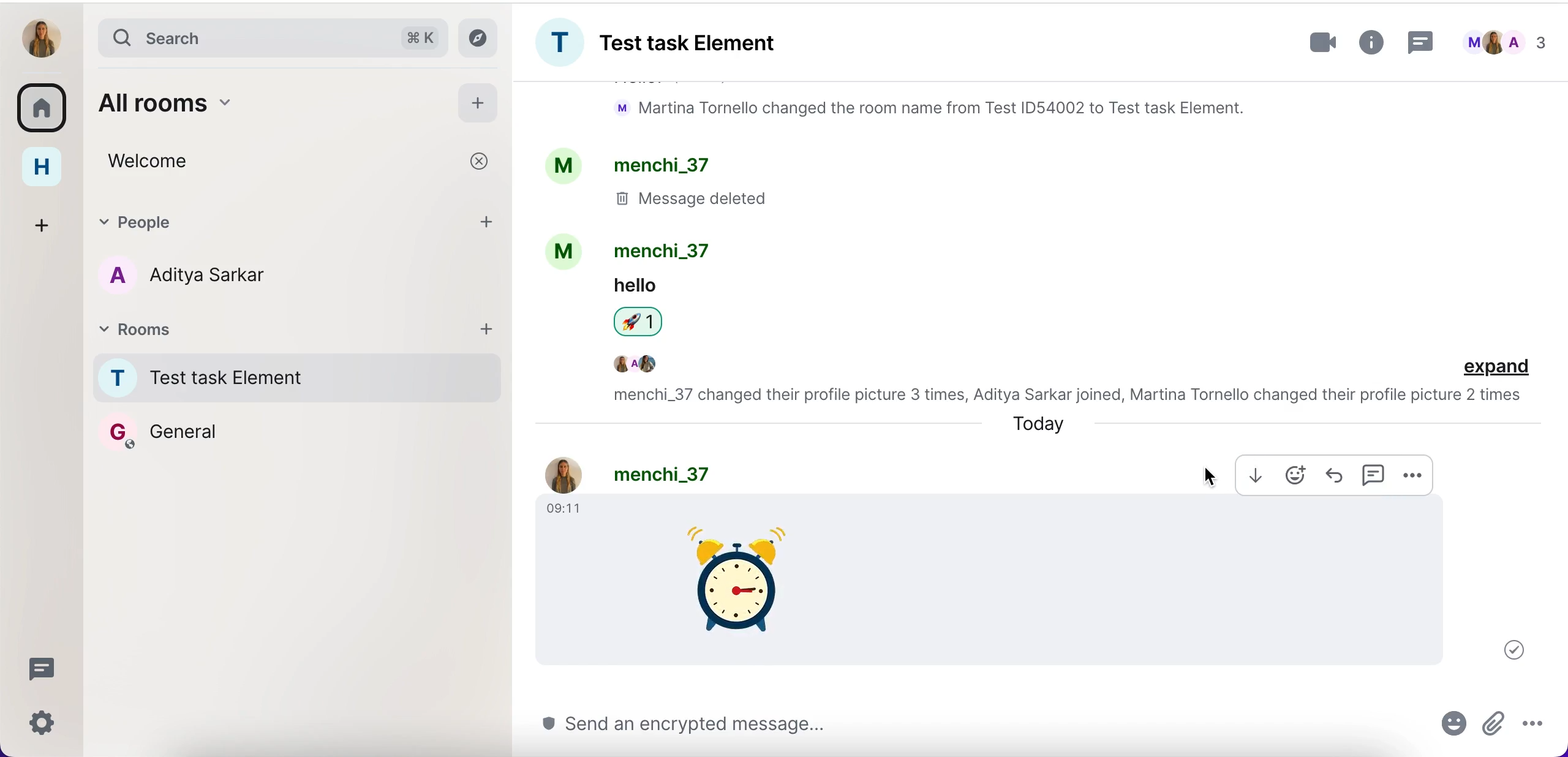  What do you see at coordinates (1532, 723) in the screenshot?
I see `more options` at bounding box center [1532, 723].